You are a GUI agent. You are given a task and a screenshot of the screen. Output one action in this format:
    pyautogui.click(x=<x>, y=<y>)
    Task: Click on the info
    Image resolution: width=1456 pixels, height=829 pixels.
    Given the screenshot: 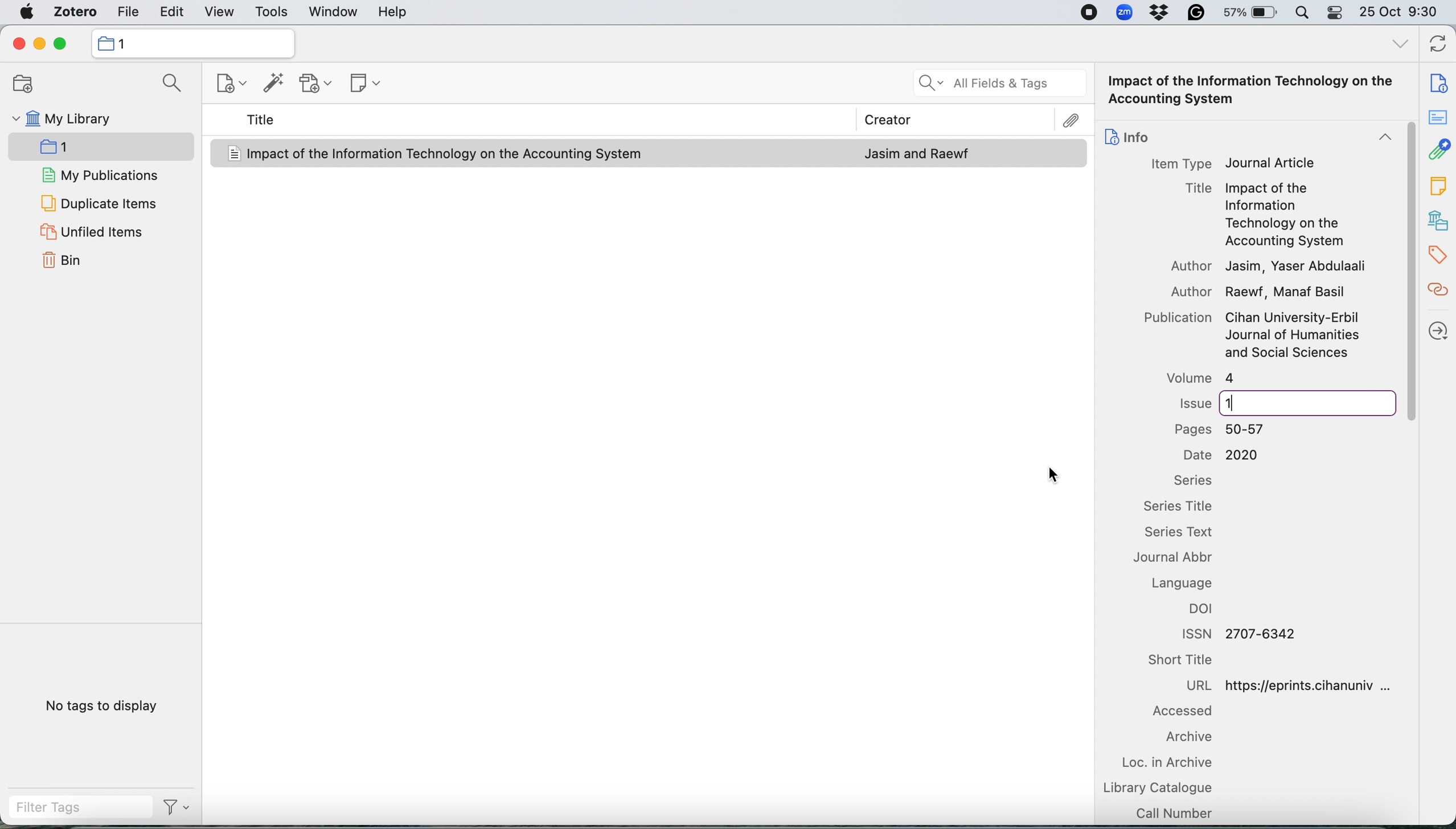 What is the action you would take?
    pyautogui.click(x=1433, y=79)
    